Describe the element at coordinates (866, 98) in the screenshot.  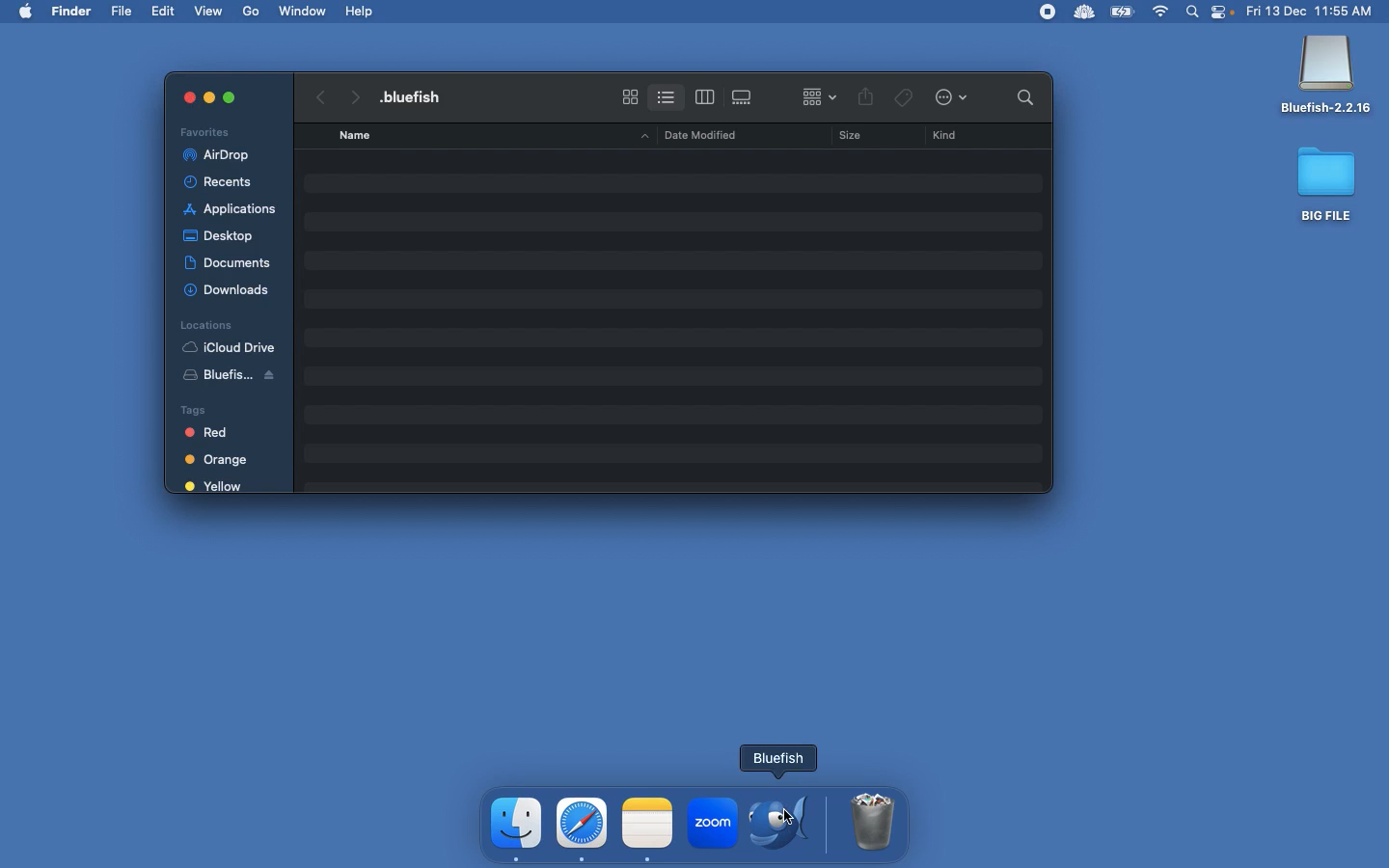
I see `share` at that location.